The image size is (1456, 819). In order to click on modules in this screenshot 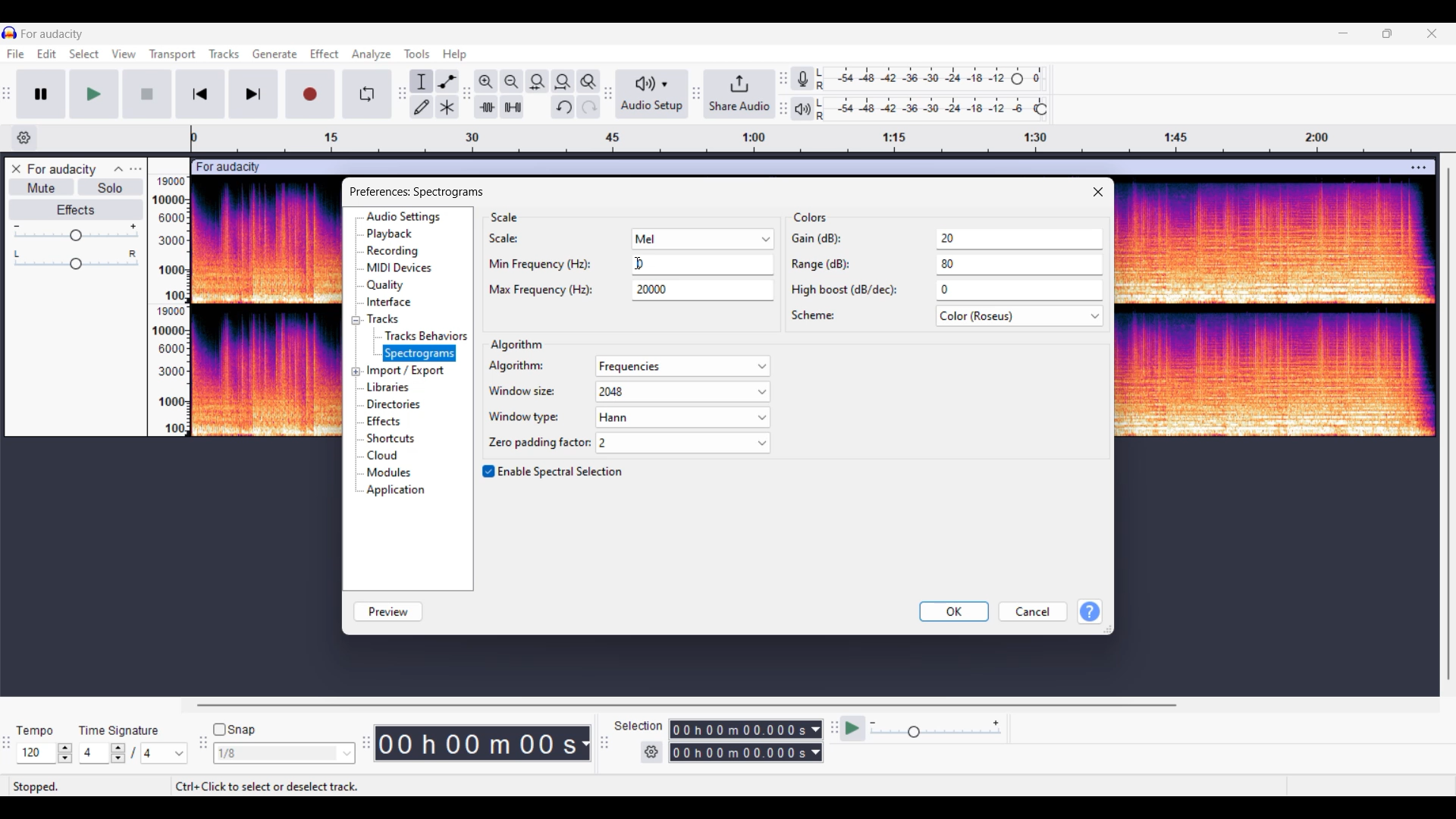, I will do `click(393, 472)`.